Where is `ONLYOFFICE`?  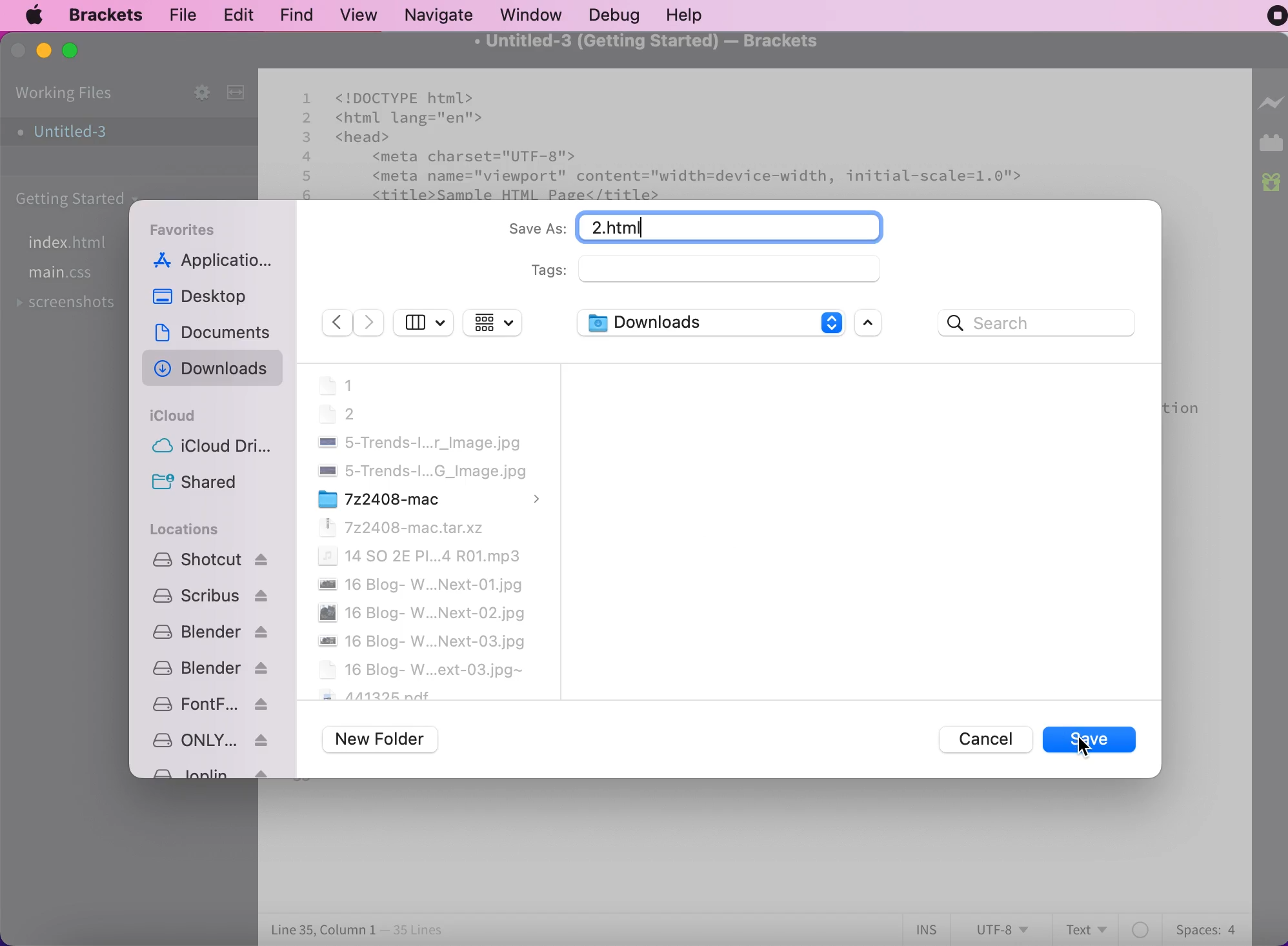 ONLYOFFICE is located at coordinates (210, 740).